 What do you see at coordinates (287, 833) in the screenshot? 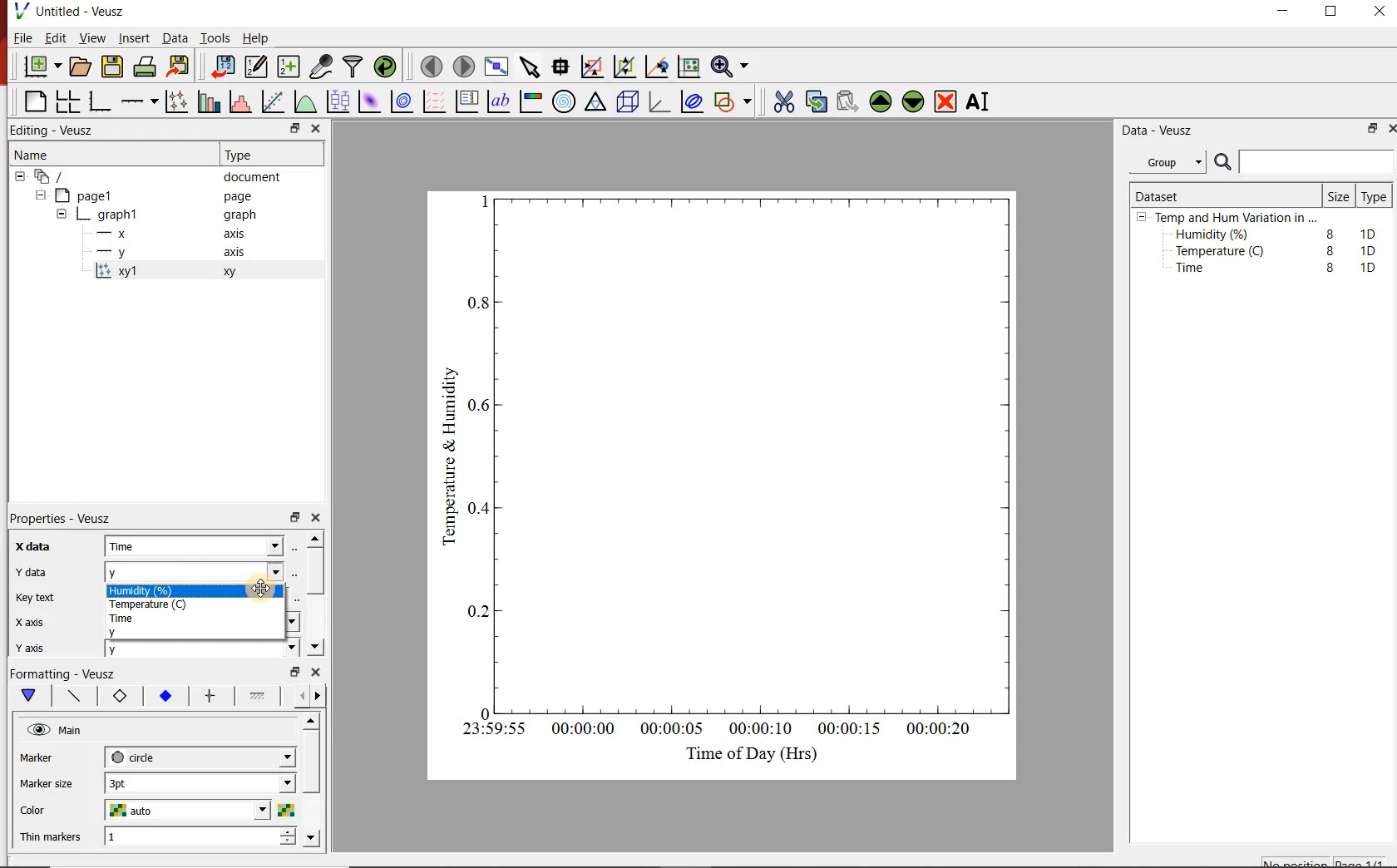
I see `increase` at bounding box center [287, 833].